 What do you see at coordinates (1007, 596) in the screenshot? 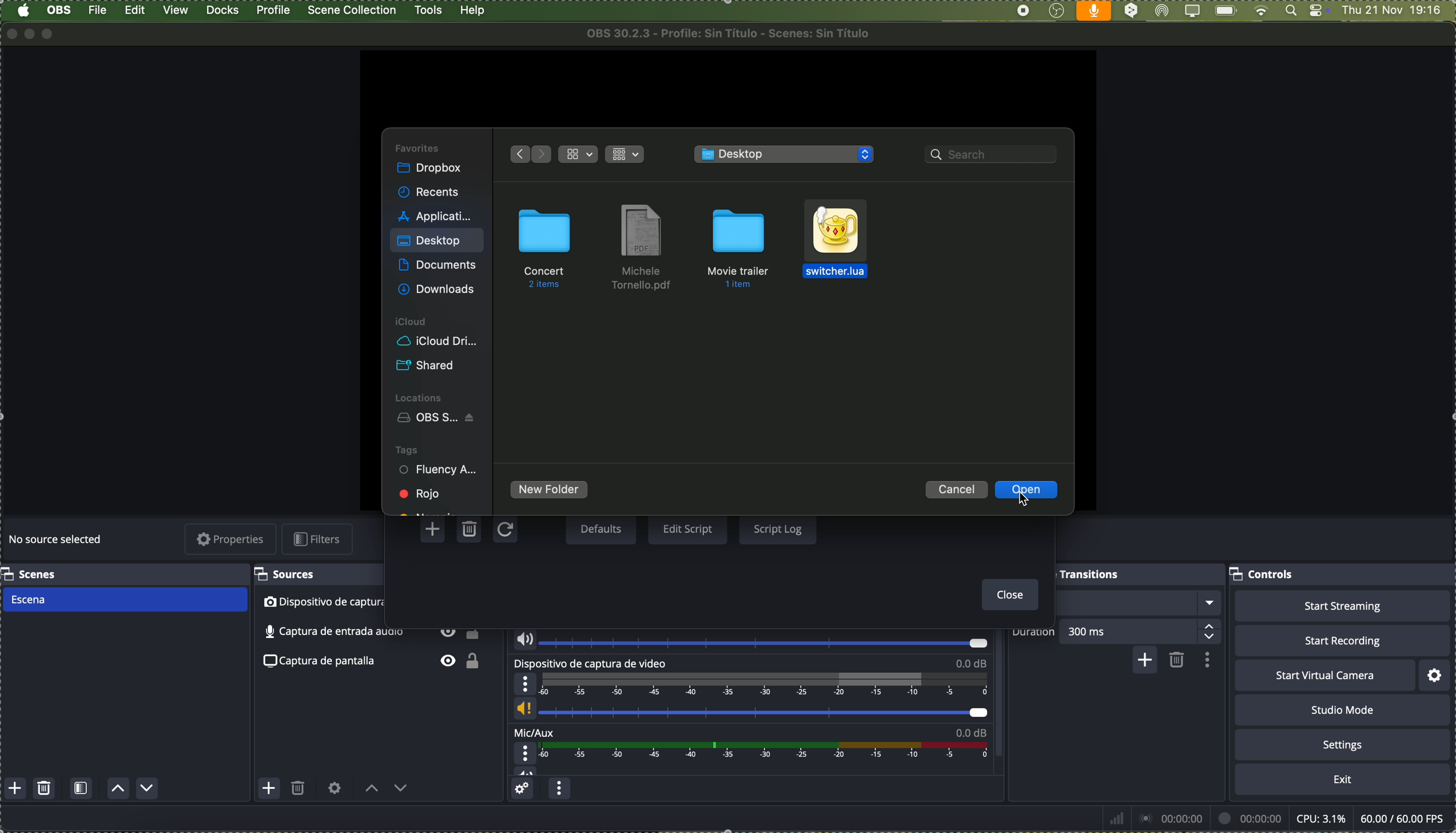
I see `close` at bounding box center [1007, 596].